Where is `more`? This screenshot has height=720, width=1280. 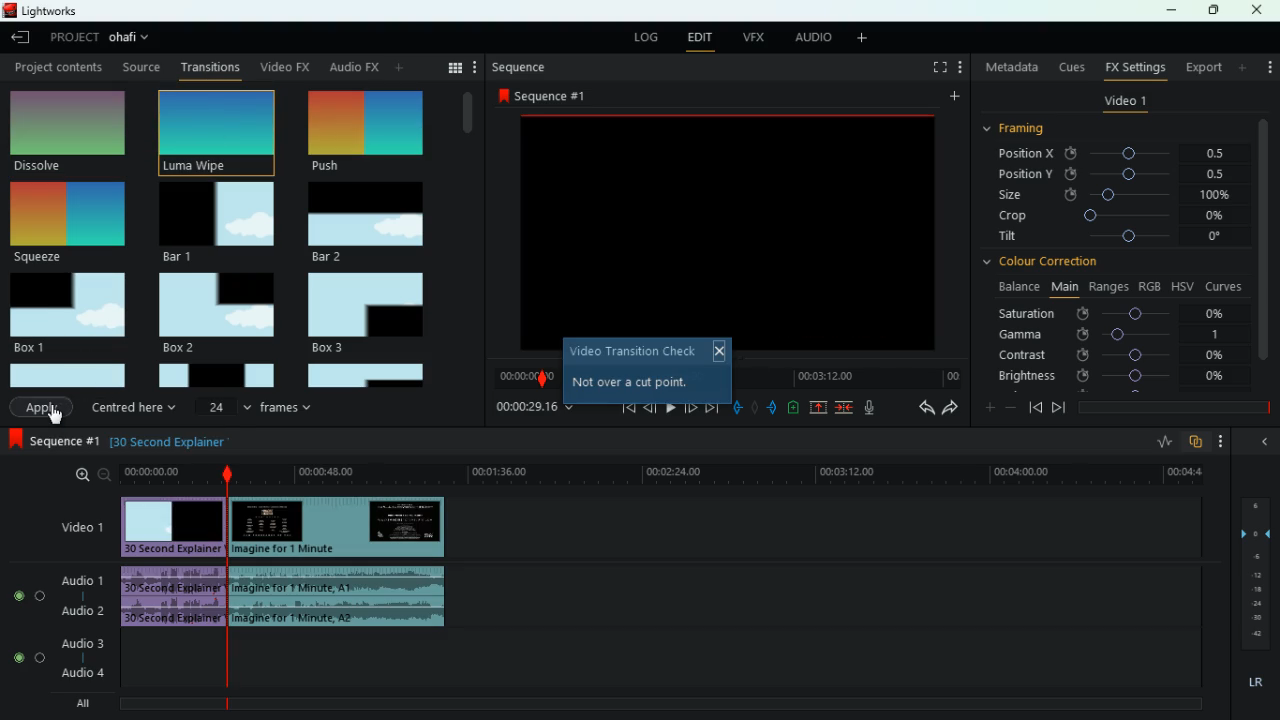
more is located at coordinates (952, 99).